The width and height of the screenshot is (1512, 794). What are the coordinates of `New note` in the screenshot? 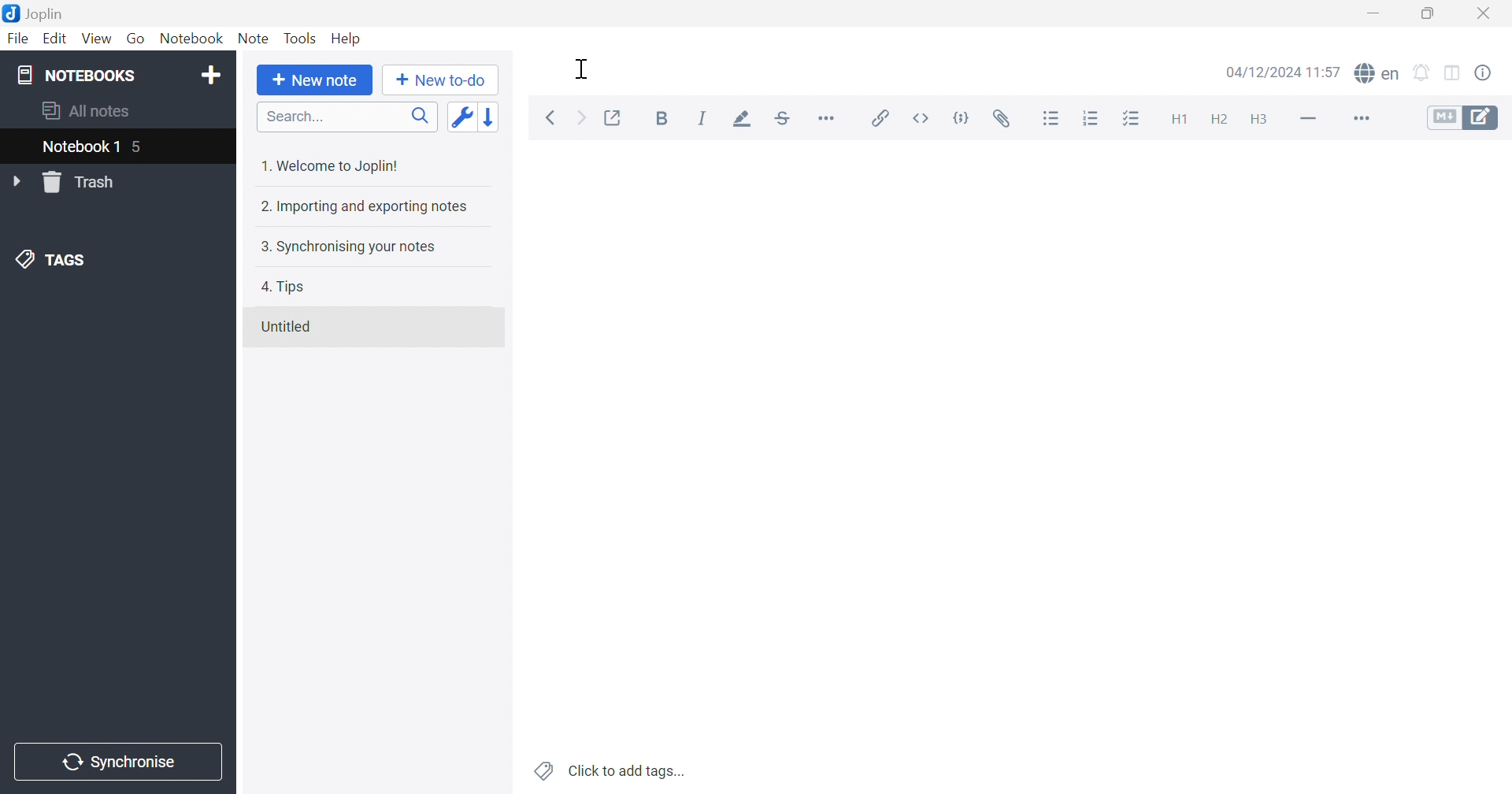 It's located at (319, 80).